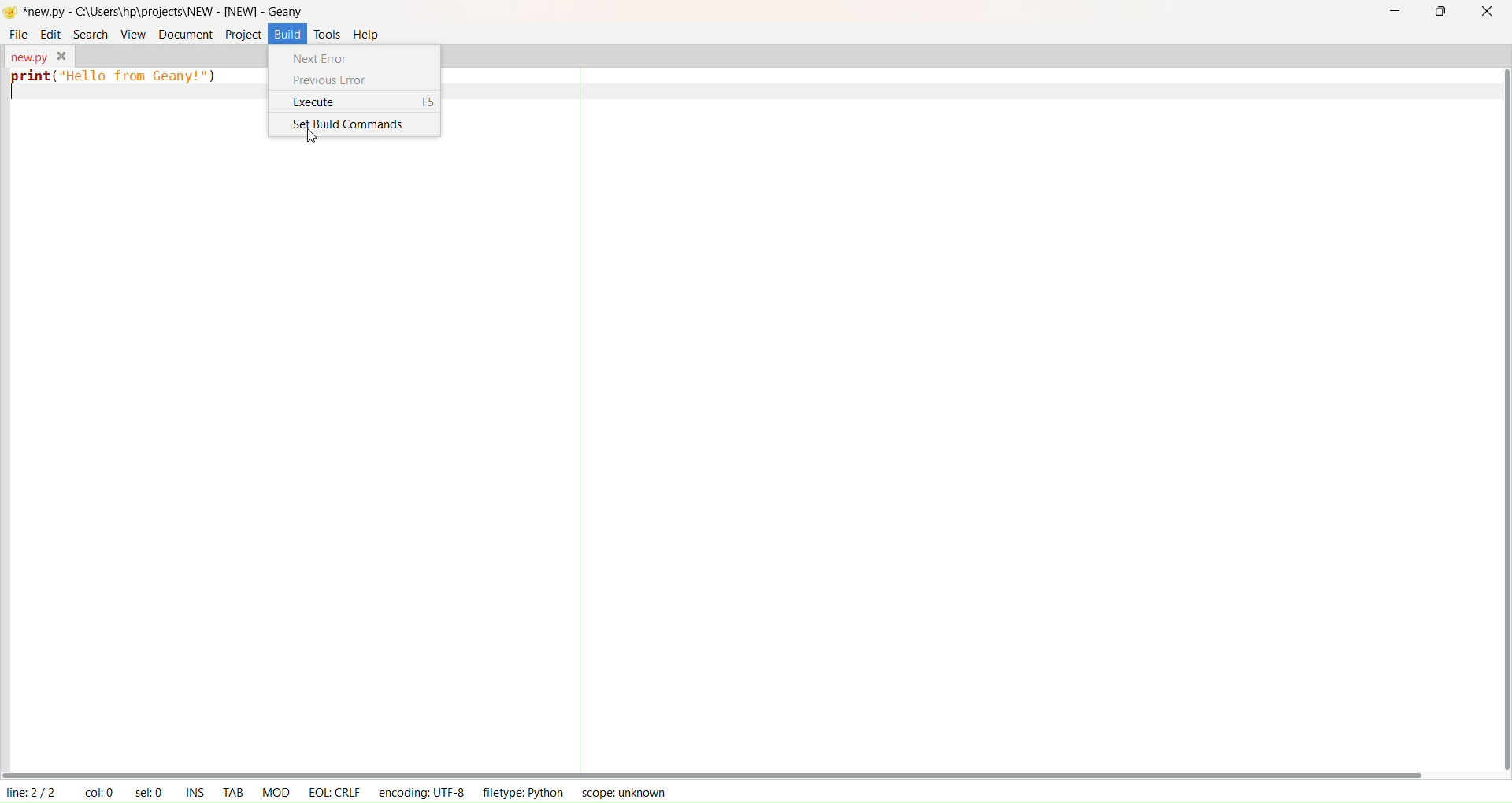 The image size is (1512, 803). What do you see at coordinates (164, 11) in the screenshot?
I see `title` at bounding box center [164, 11].